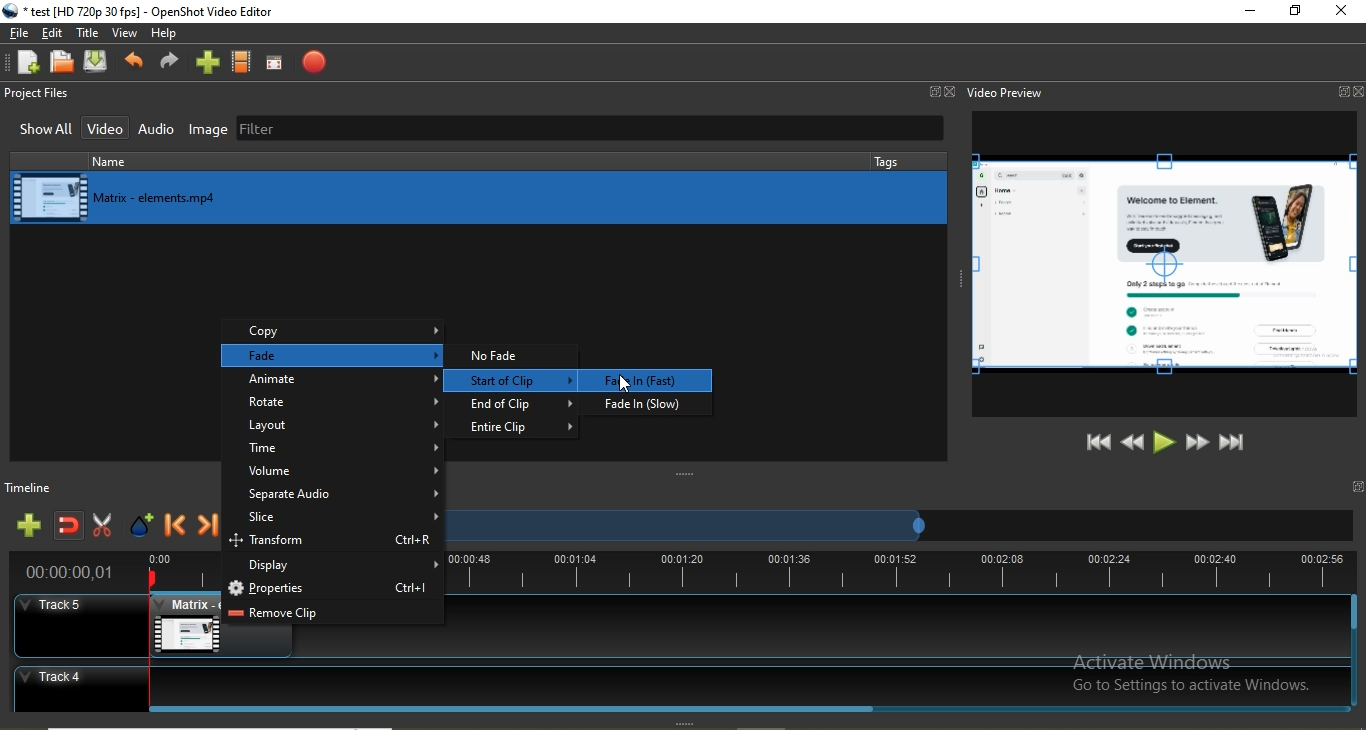  What do you see at coordinates (106, 528) in the screenshot?
I see `Enable razor` at bounding box center [106, 528].